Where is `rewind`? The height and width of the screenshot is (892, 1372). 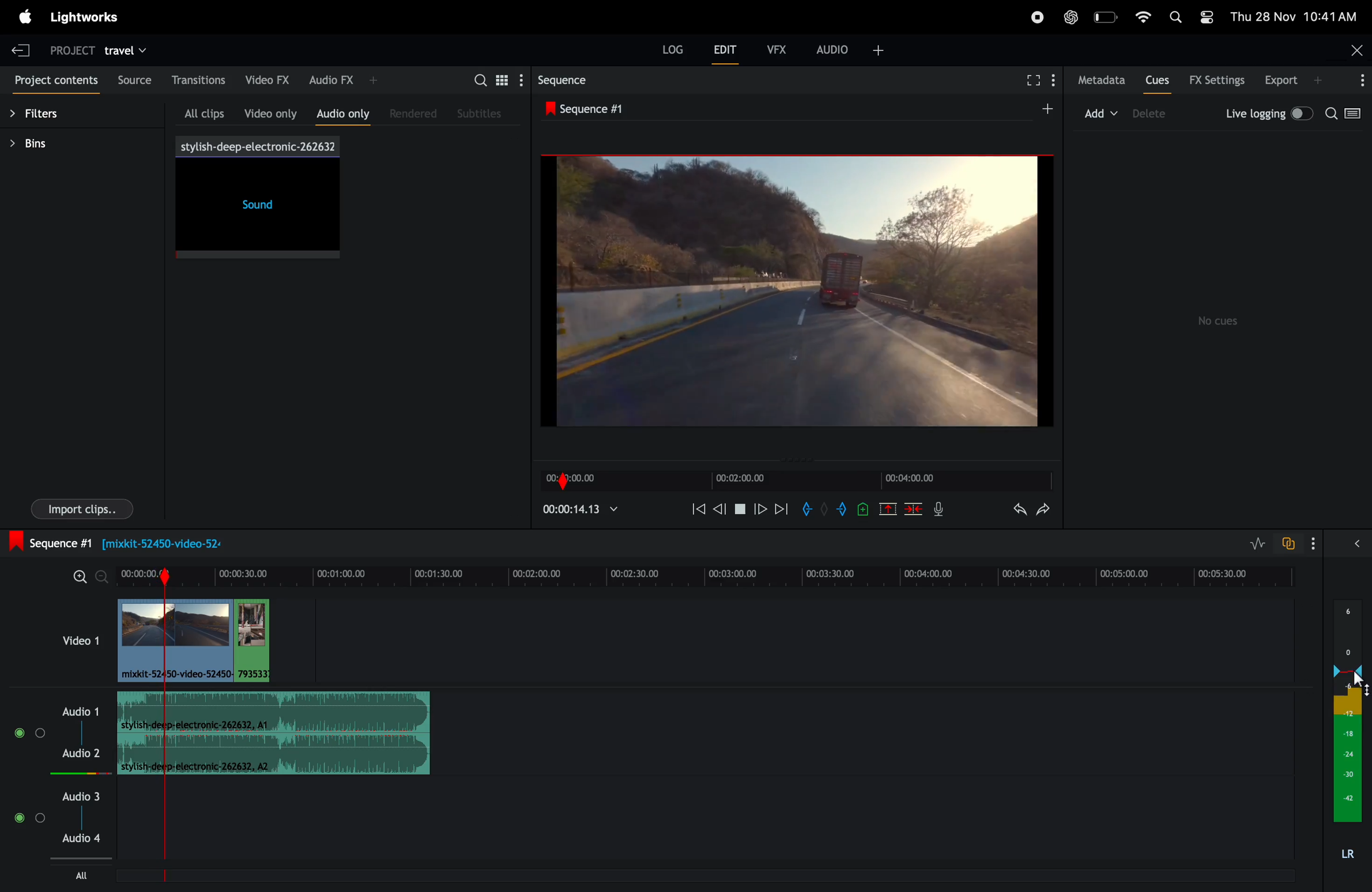 rewind is located at coordinates (696, 508).